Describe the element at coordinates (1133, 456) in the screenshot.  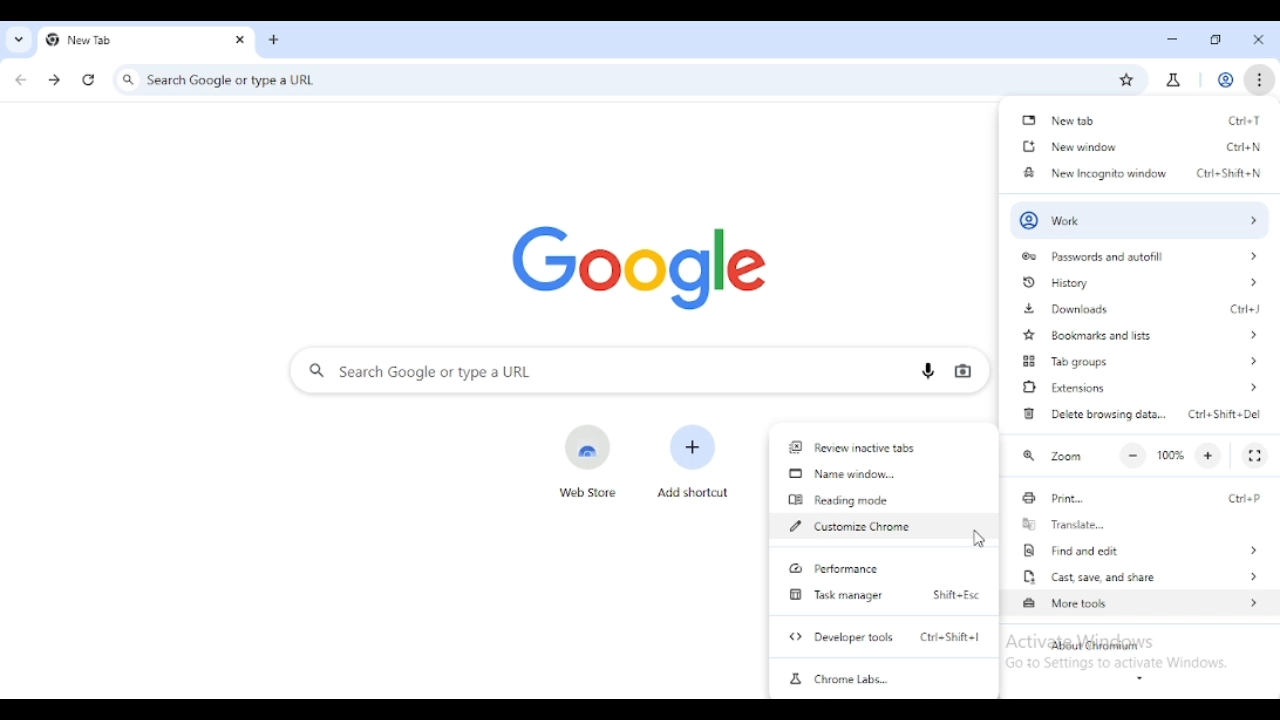
I see `make text smalled` at that location.